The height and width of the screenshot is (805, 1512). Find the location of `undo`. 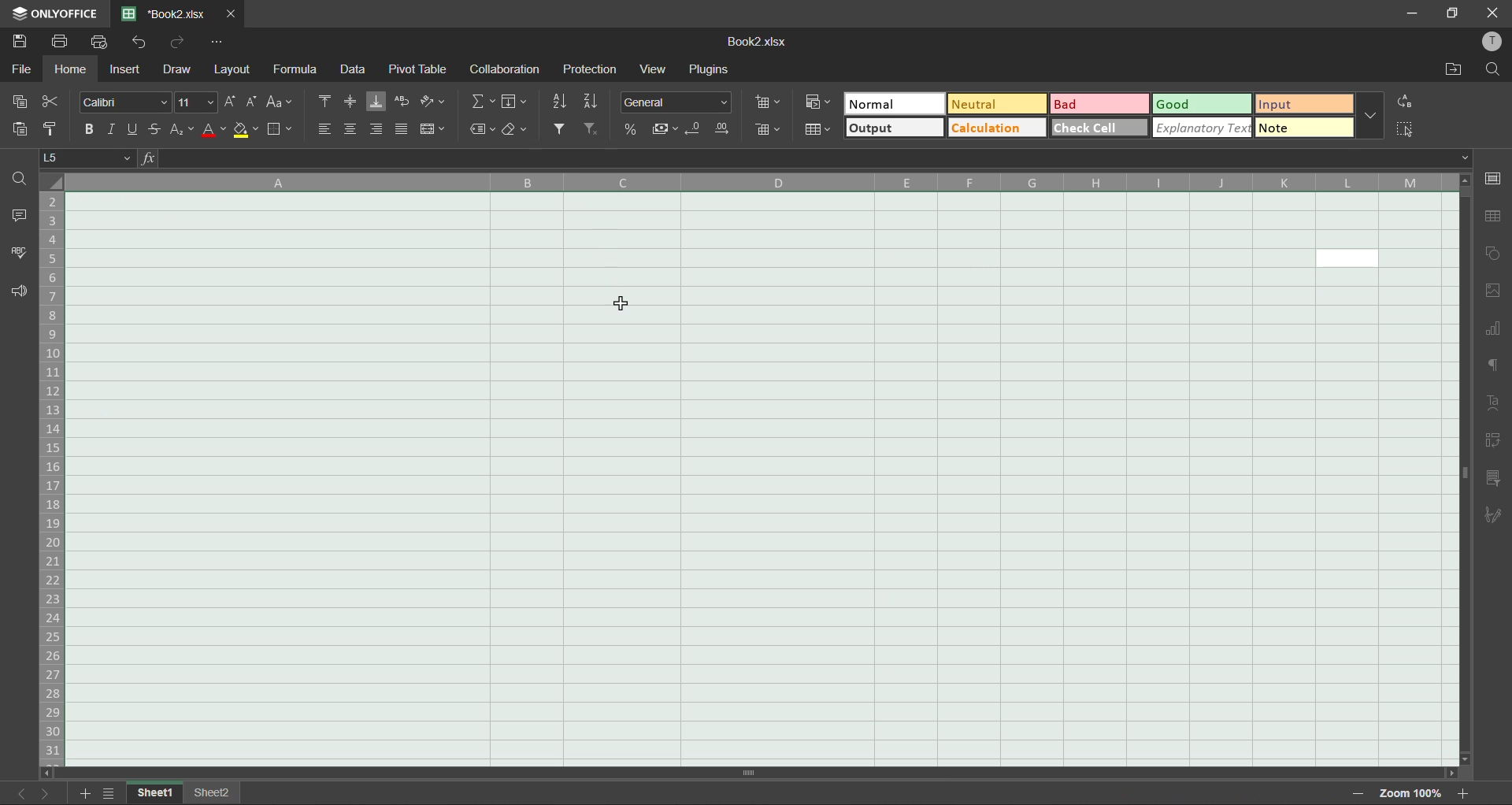

undo is located at coordinates (142, 43).